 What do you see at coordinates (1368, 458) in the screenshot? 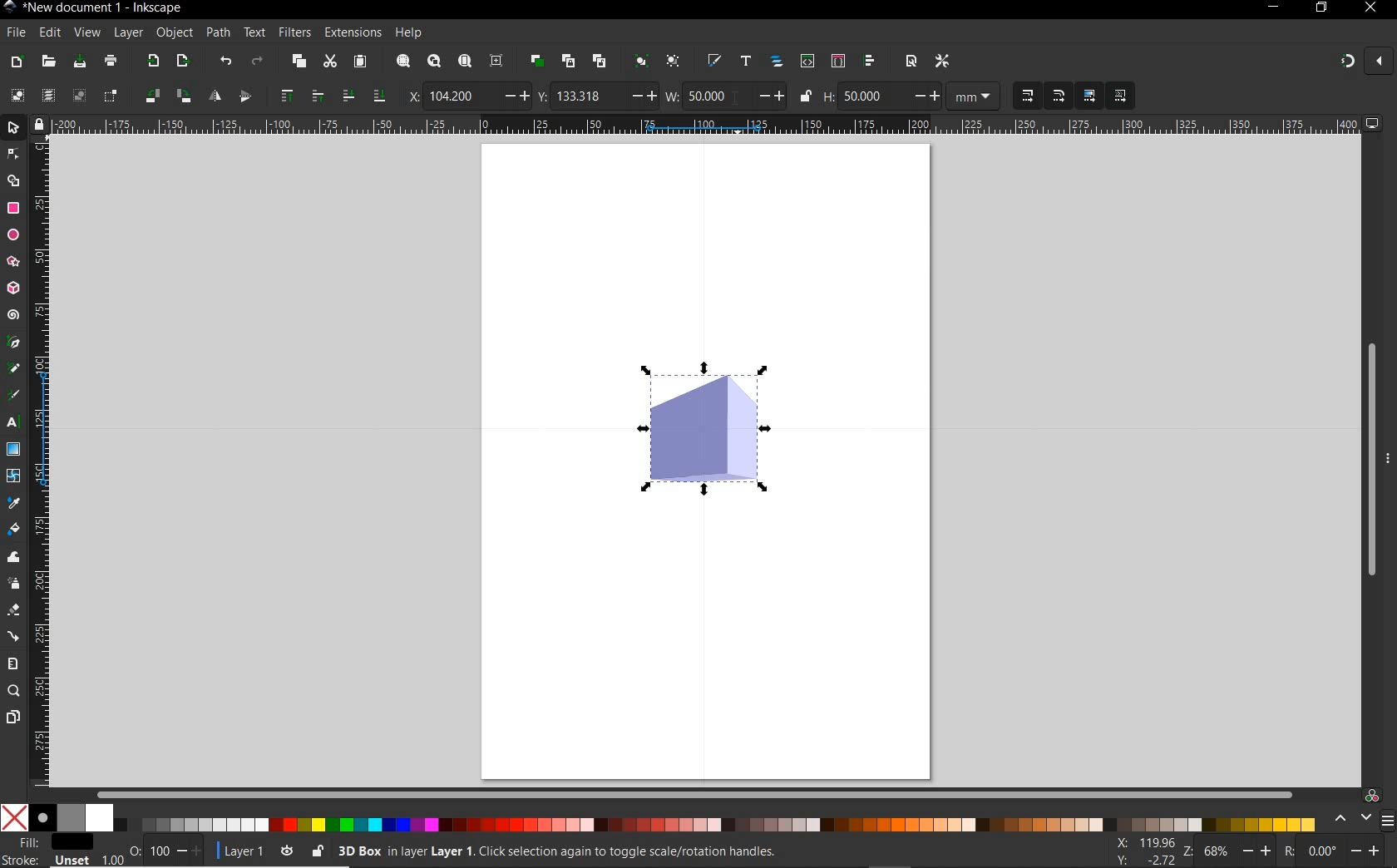
I see `scrollbar` at bounding box center [1368, 458].